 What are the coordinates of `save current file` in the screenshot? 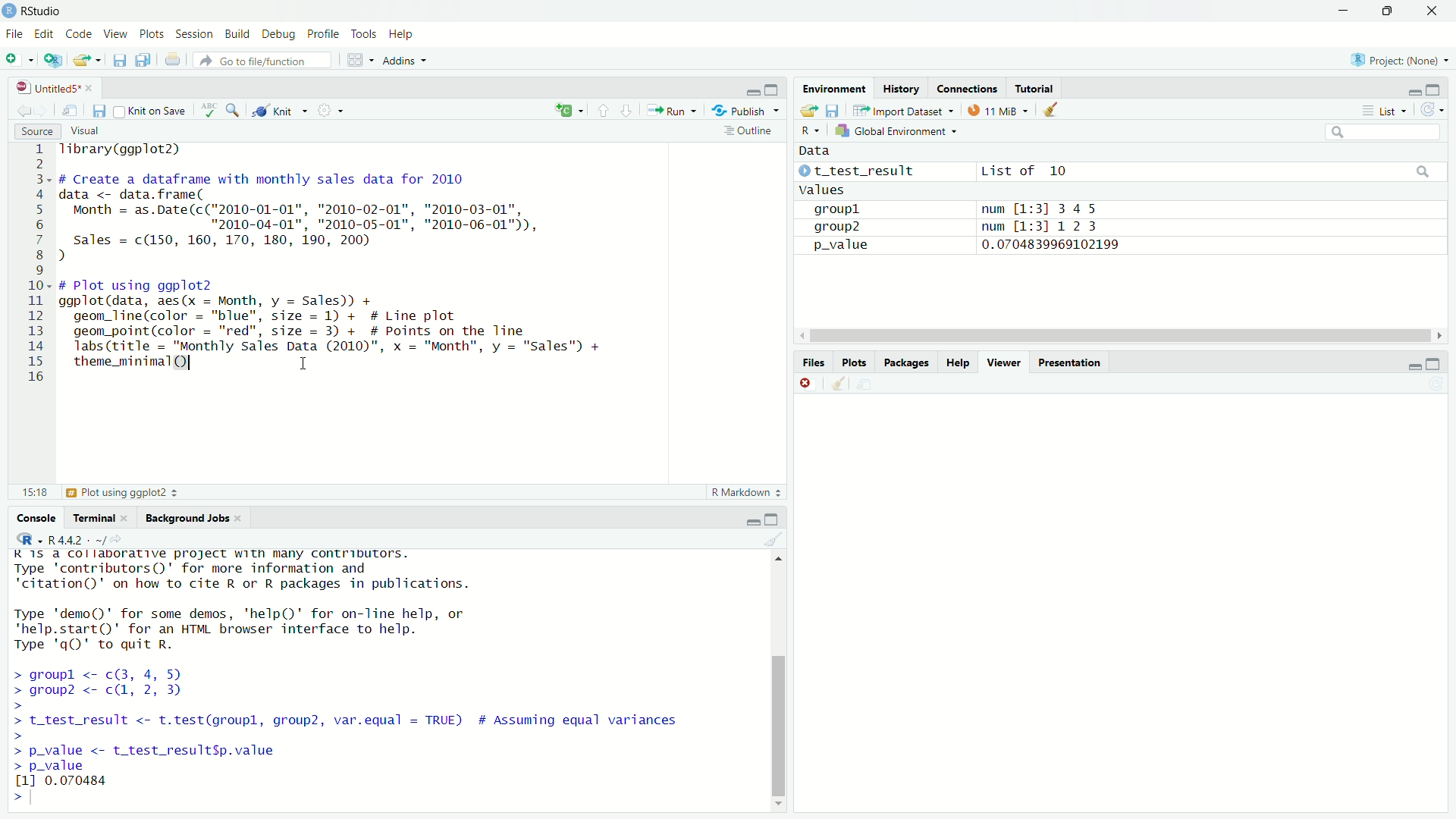 It's located at (120, 61).